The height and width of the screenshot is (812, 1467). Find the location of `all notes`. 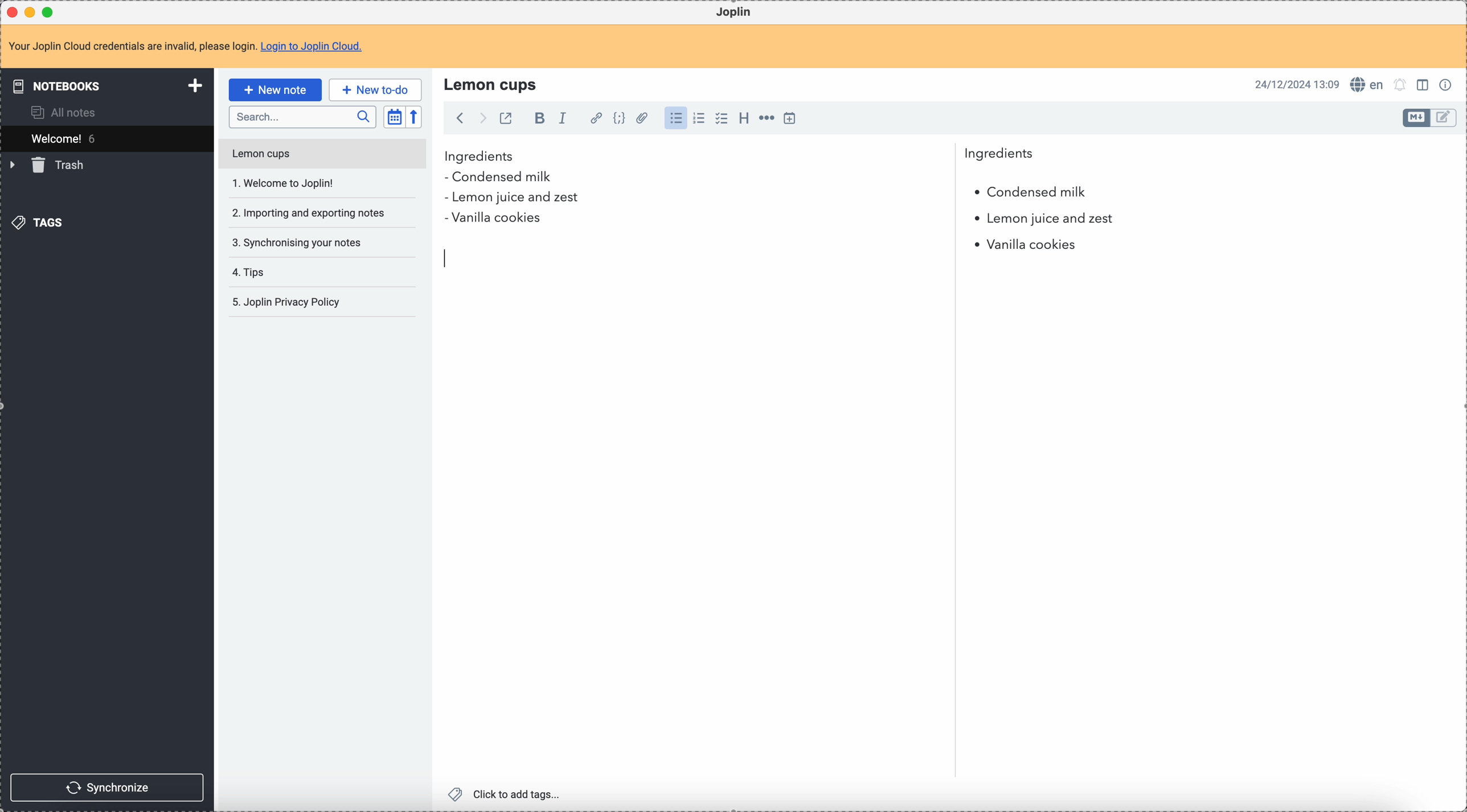

all notes is located at coordinates (67, 112).